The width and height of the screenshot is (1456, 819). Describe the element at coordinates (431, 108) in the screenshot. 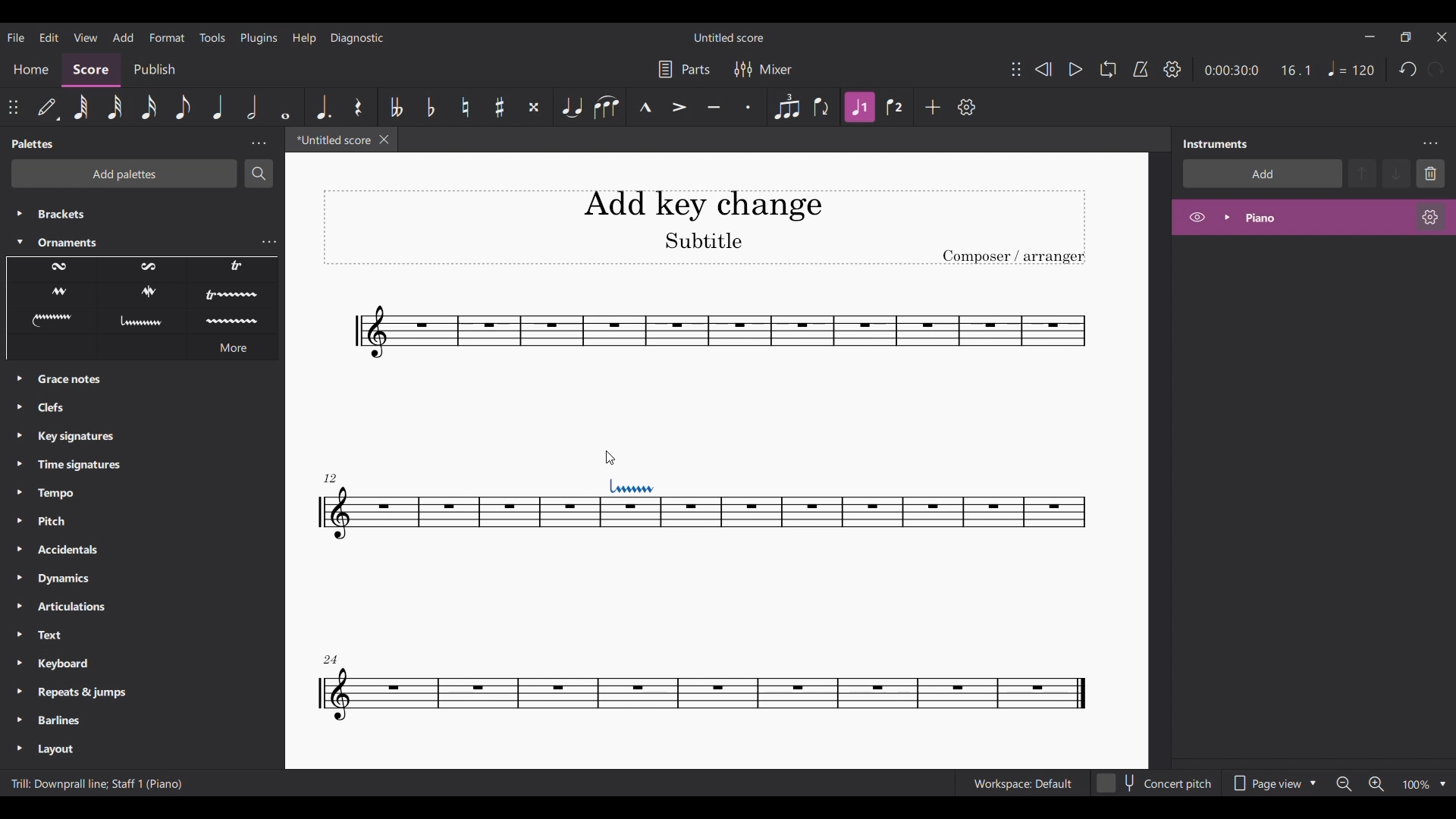

I see `Toggle flat` at that location.